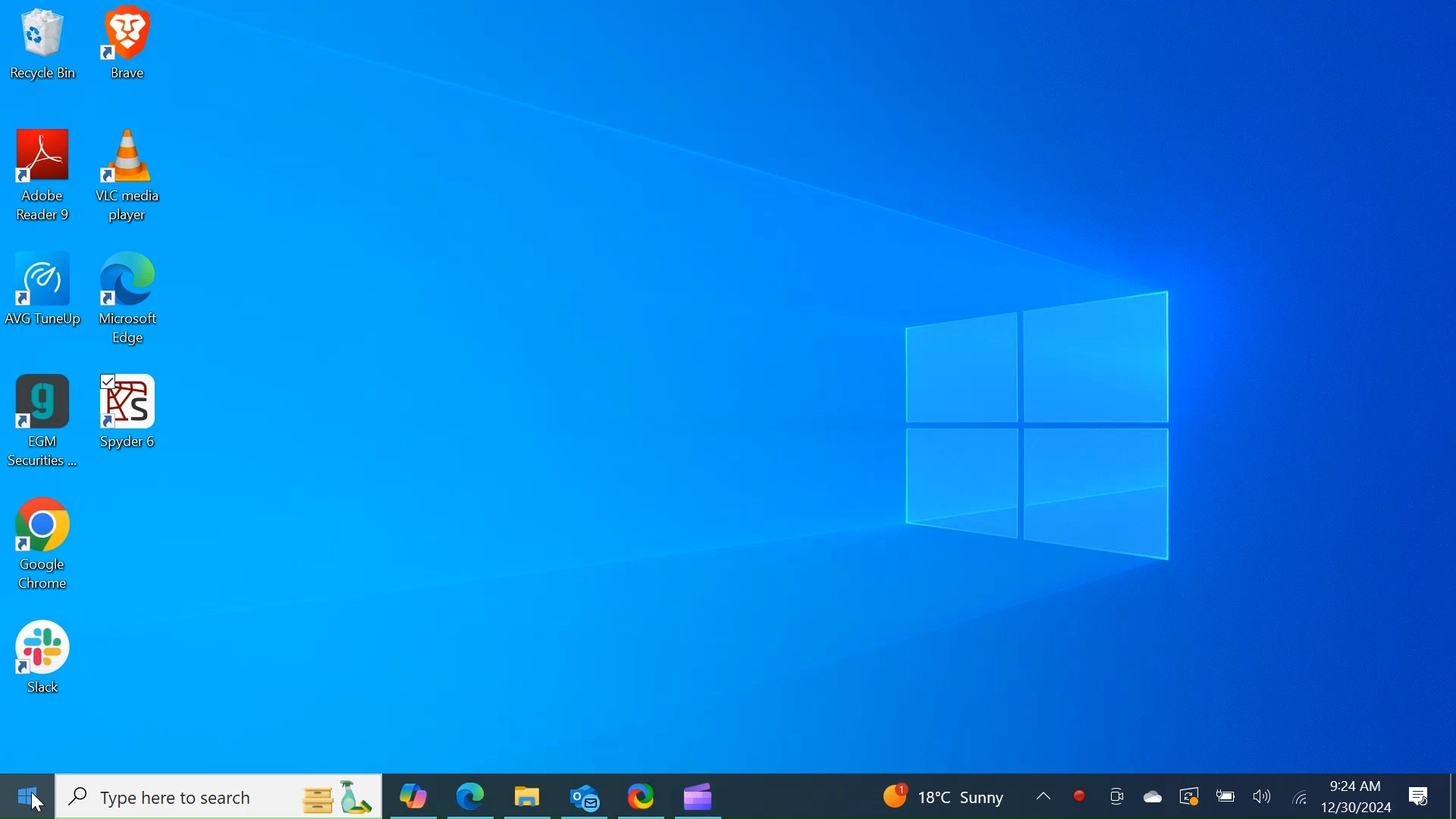  I want to click on Outlook, so click(585, 797).